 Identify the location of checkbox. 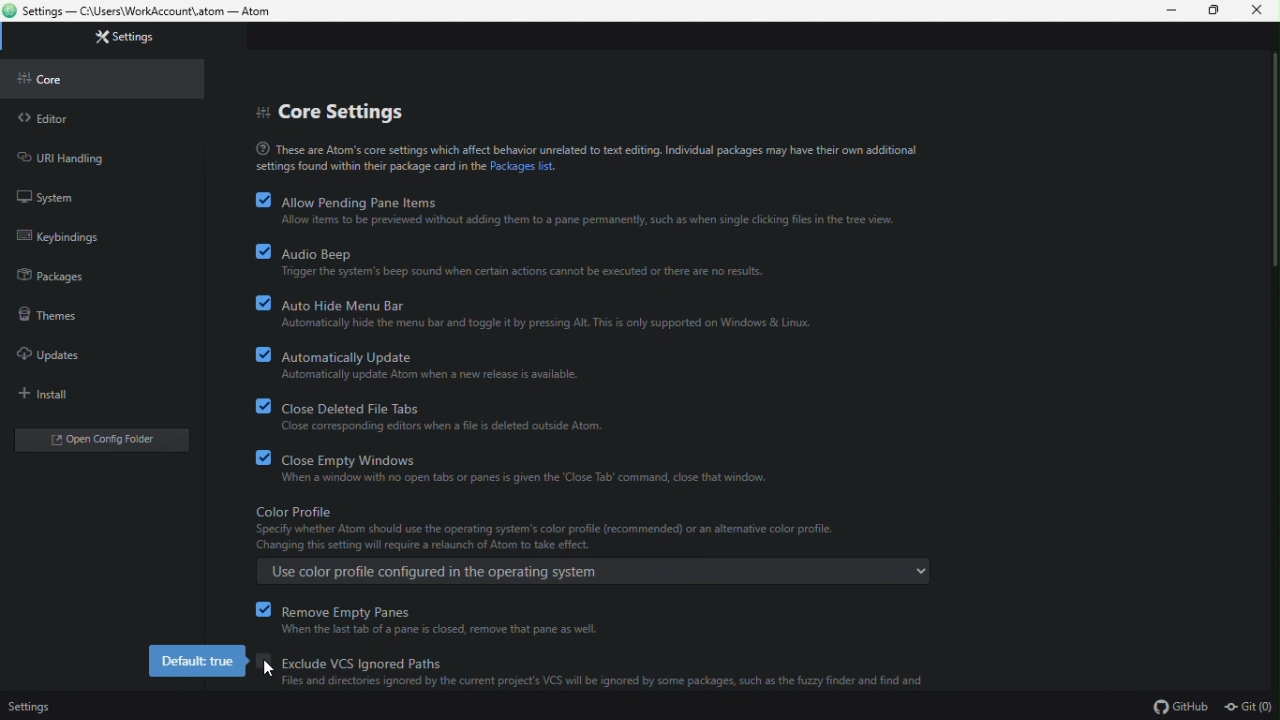
(265, 610).